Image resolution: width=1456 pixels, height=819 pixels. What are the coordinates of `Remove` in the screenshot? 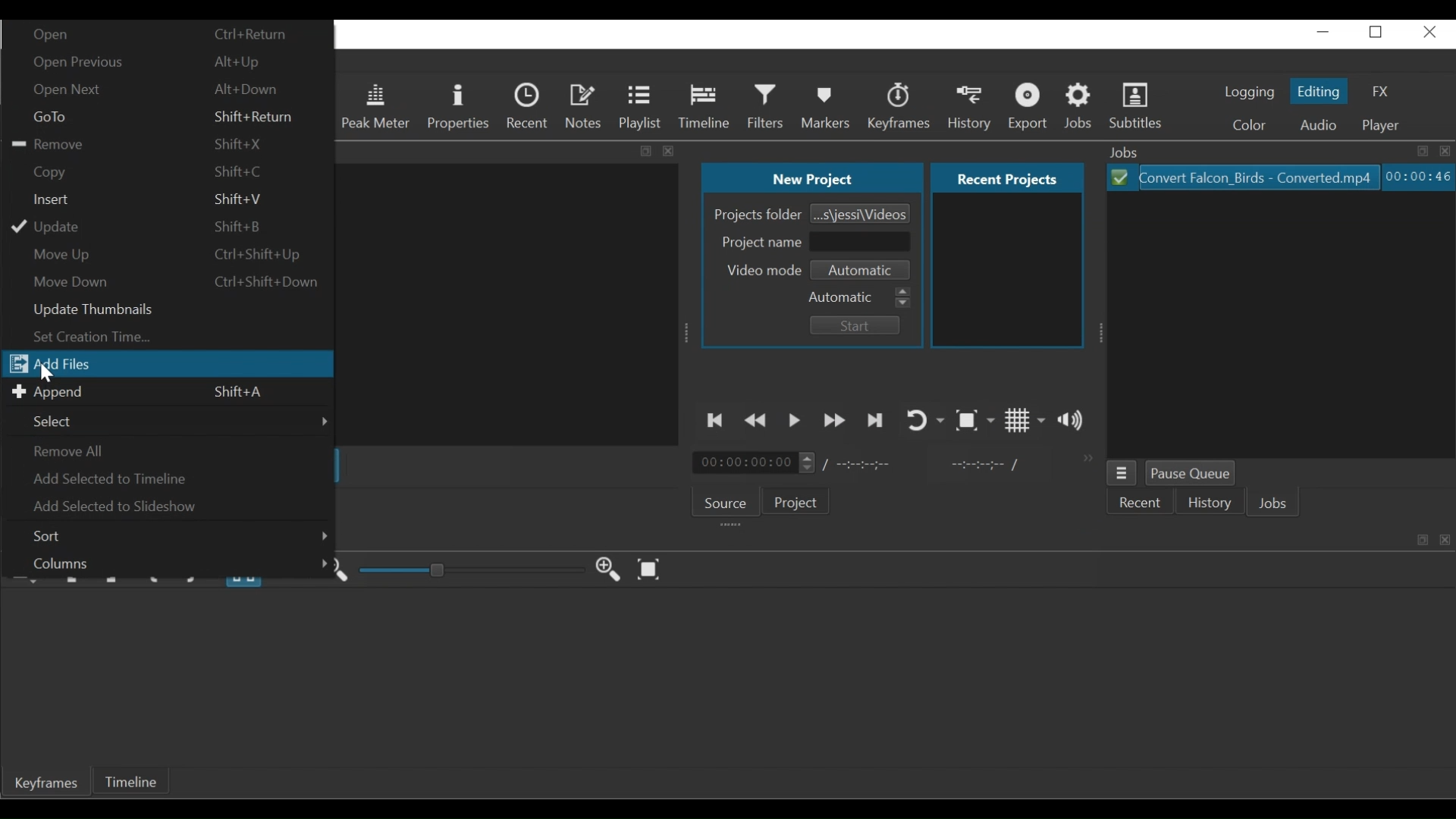 It's located at (162, 146).